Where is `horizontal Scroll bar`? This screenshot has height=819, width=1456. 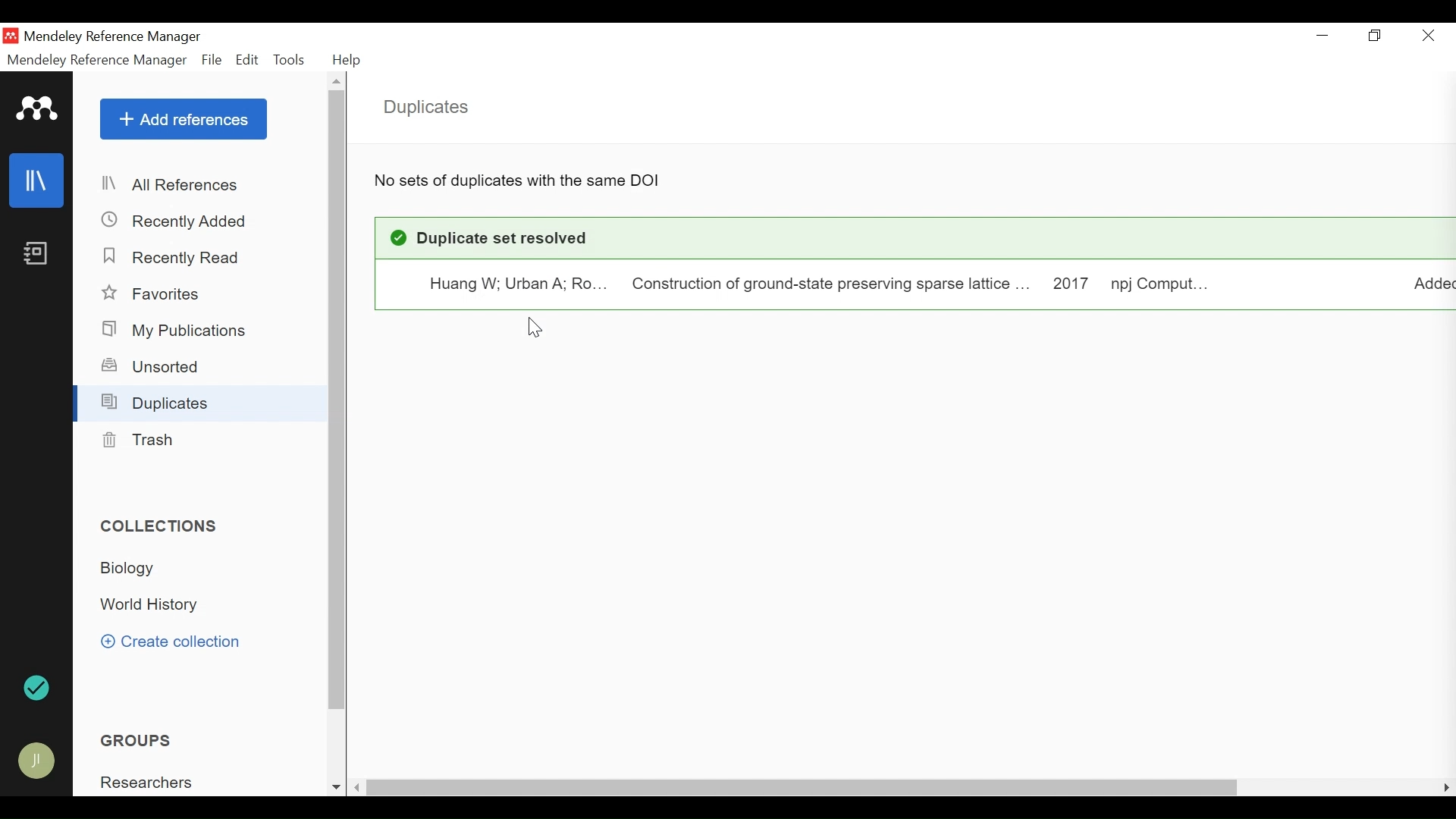 horizontal Scroll bar is located at coordinates (808, 789).